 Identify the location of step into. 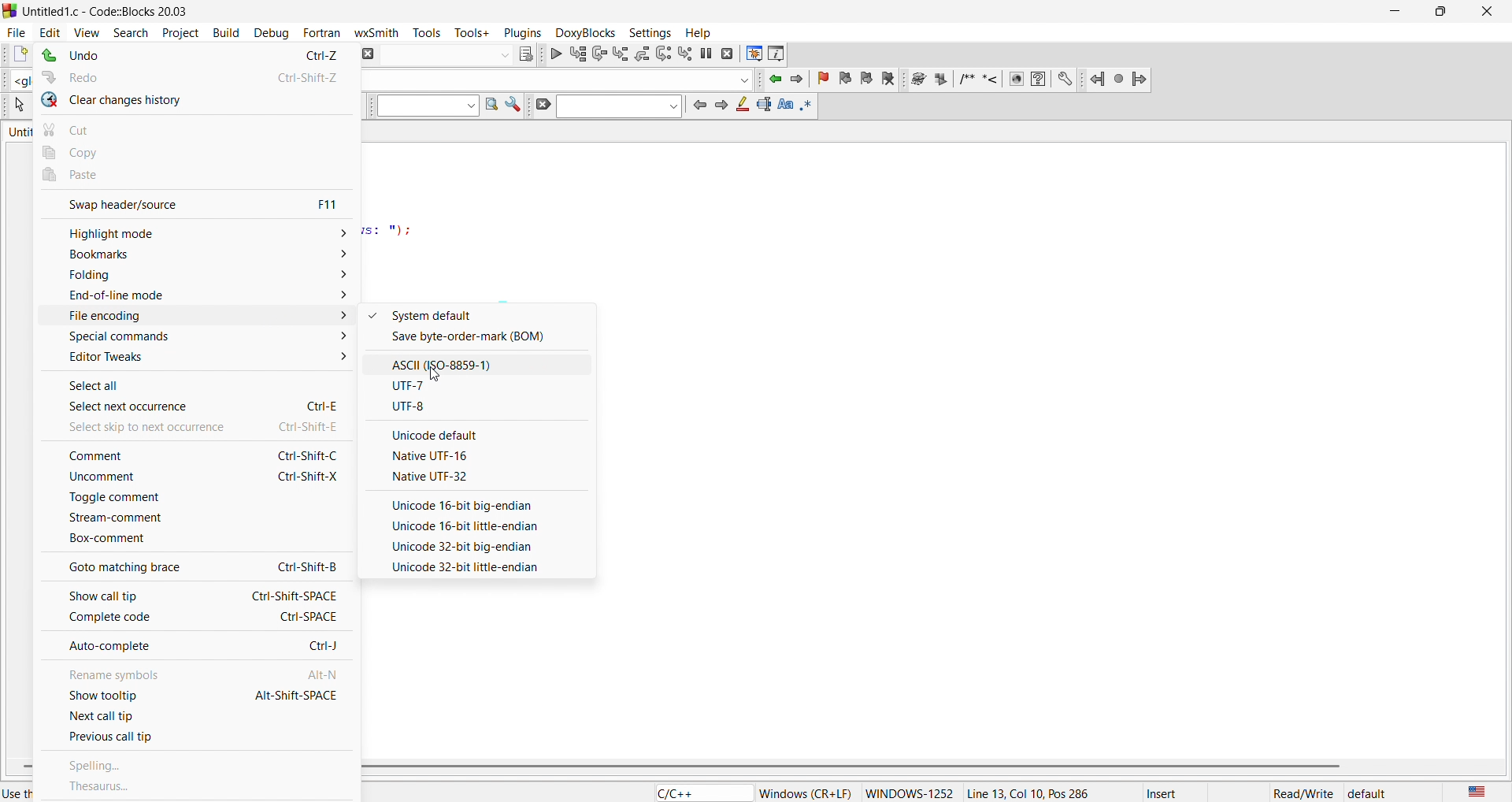
(621, 54).